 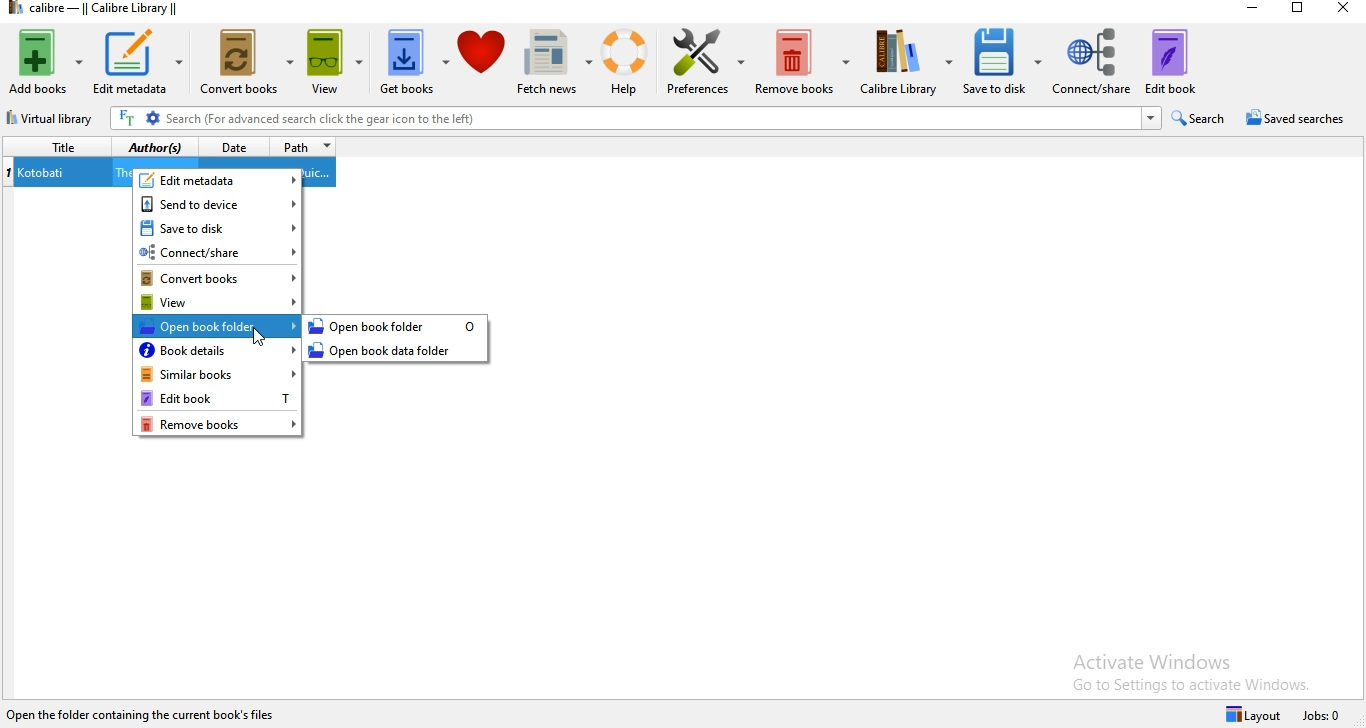 I want to click on author(s), so click(x=157, y=149).